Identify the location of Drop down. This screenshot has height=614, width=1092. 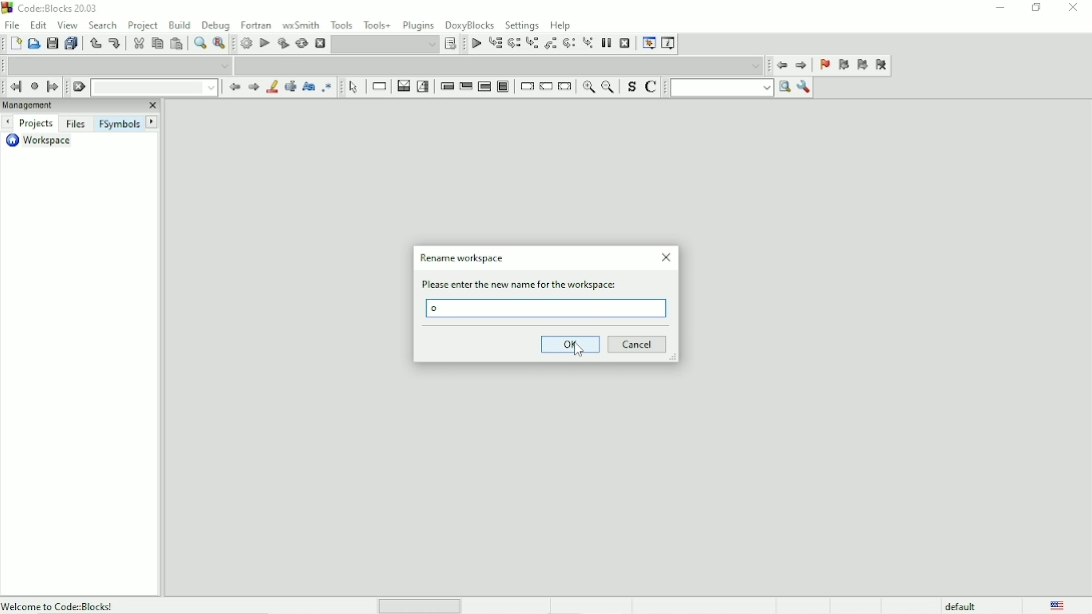
(385, 44).